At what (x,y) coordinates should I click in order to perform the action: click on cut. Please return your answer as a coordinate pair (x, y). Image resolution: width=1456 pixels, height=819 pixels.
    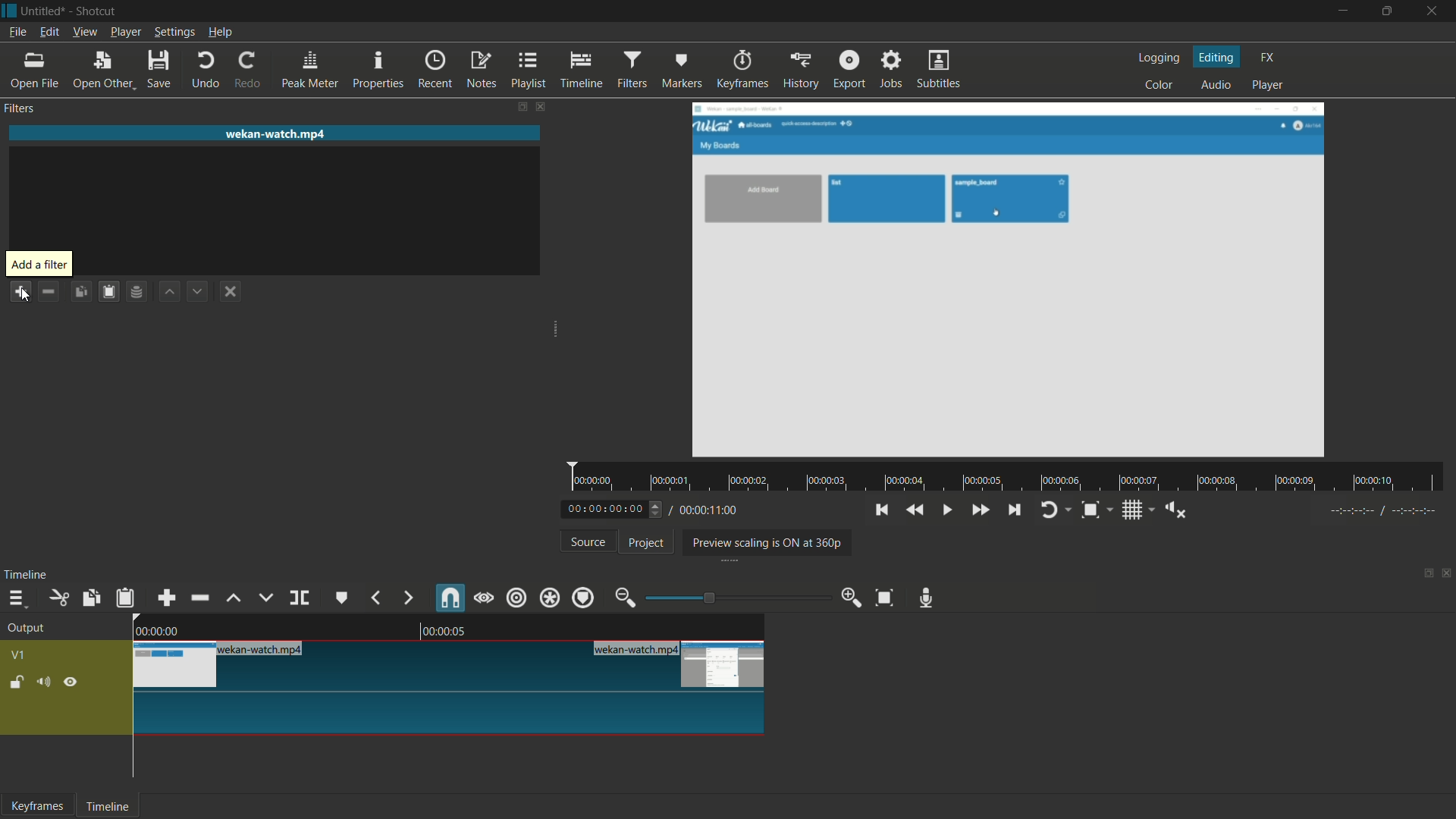
    Looking at the image, I should click on (61, 598).